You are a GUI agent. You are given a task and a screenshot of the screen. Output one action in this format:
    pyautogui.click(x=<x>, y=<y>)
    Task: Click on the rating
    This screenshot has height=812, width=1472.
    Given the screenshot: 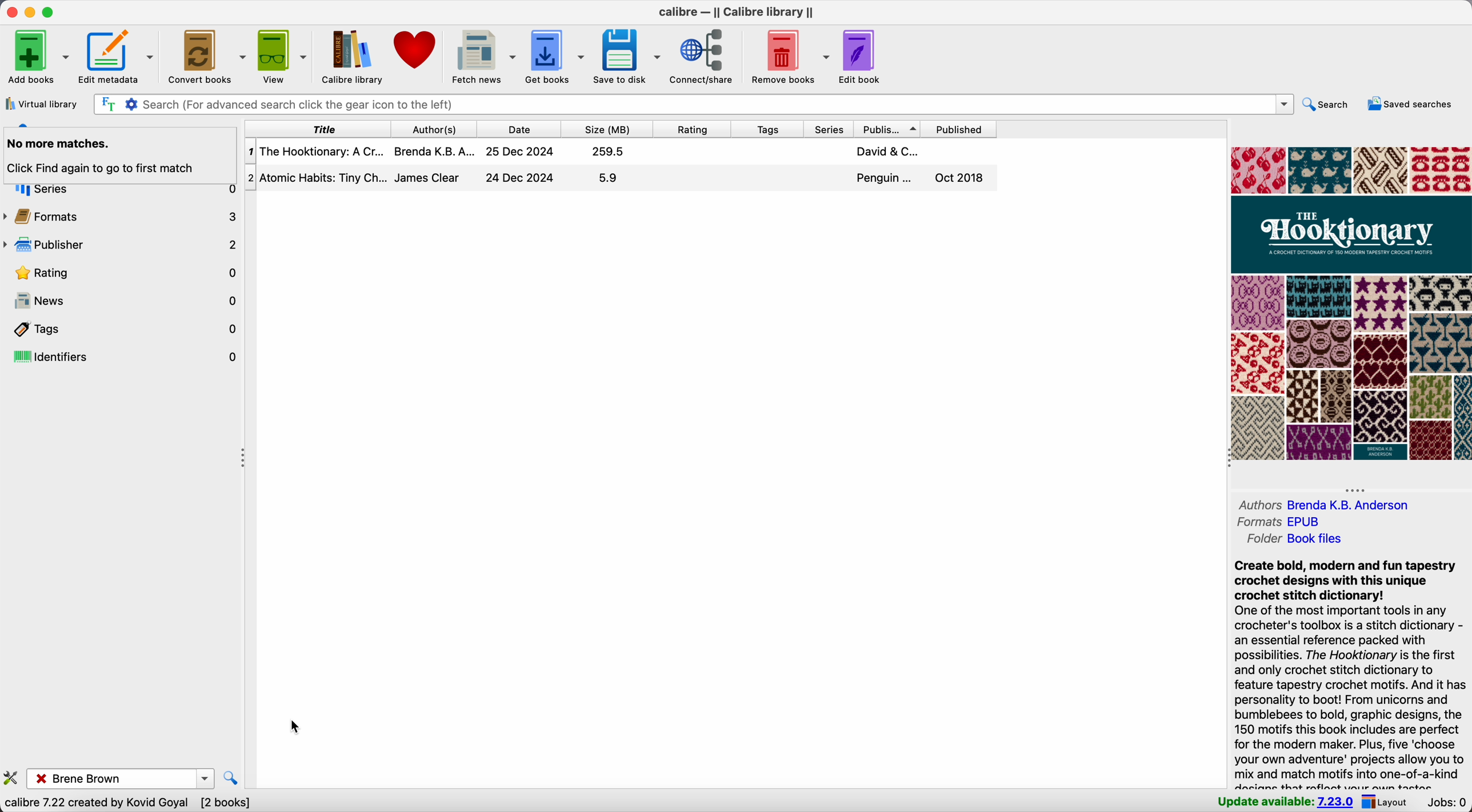 What is the action you would take?
    pyautogui.click(x=698, y=129)
    